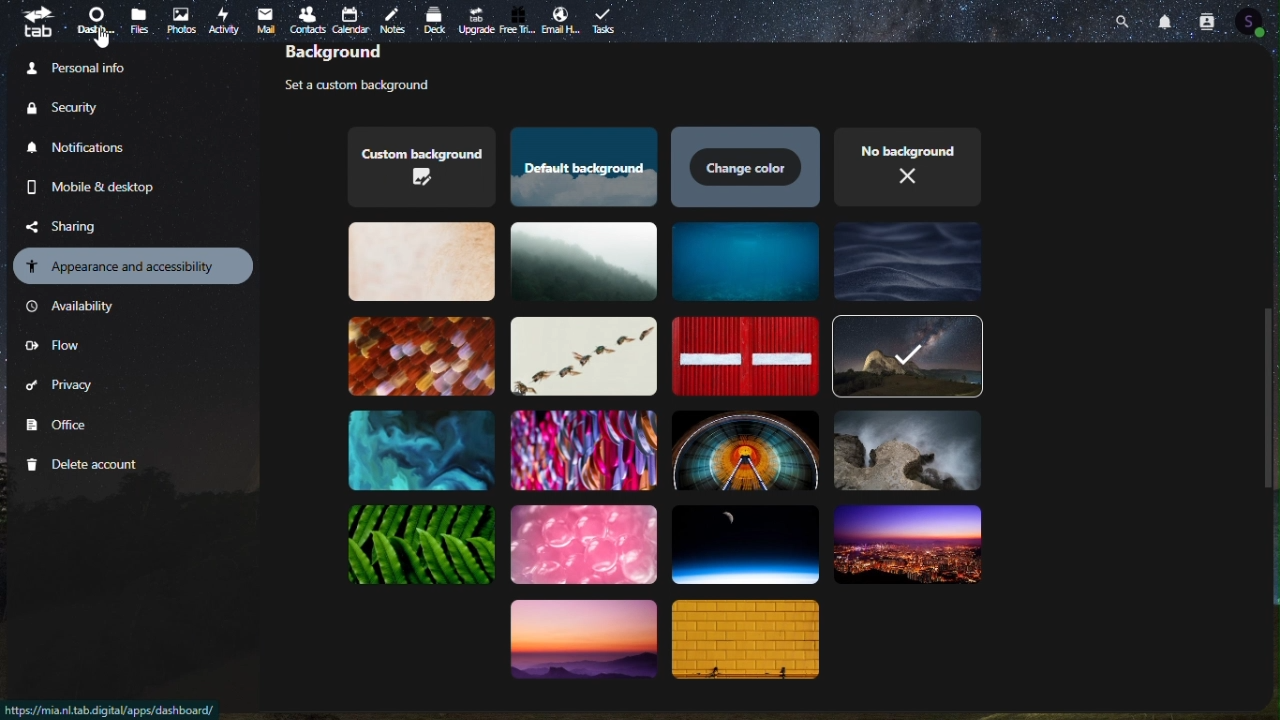 Image resolution: width=1280 pixels, height=720 pixels. I want to click on Themes, so click(581, 355).